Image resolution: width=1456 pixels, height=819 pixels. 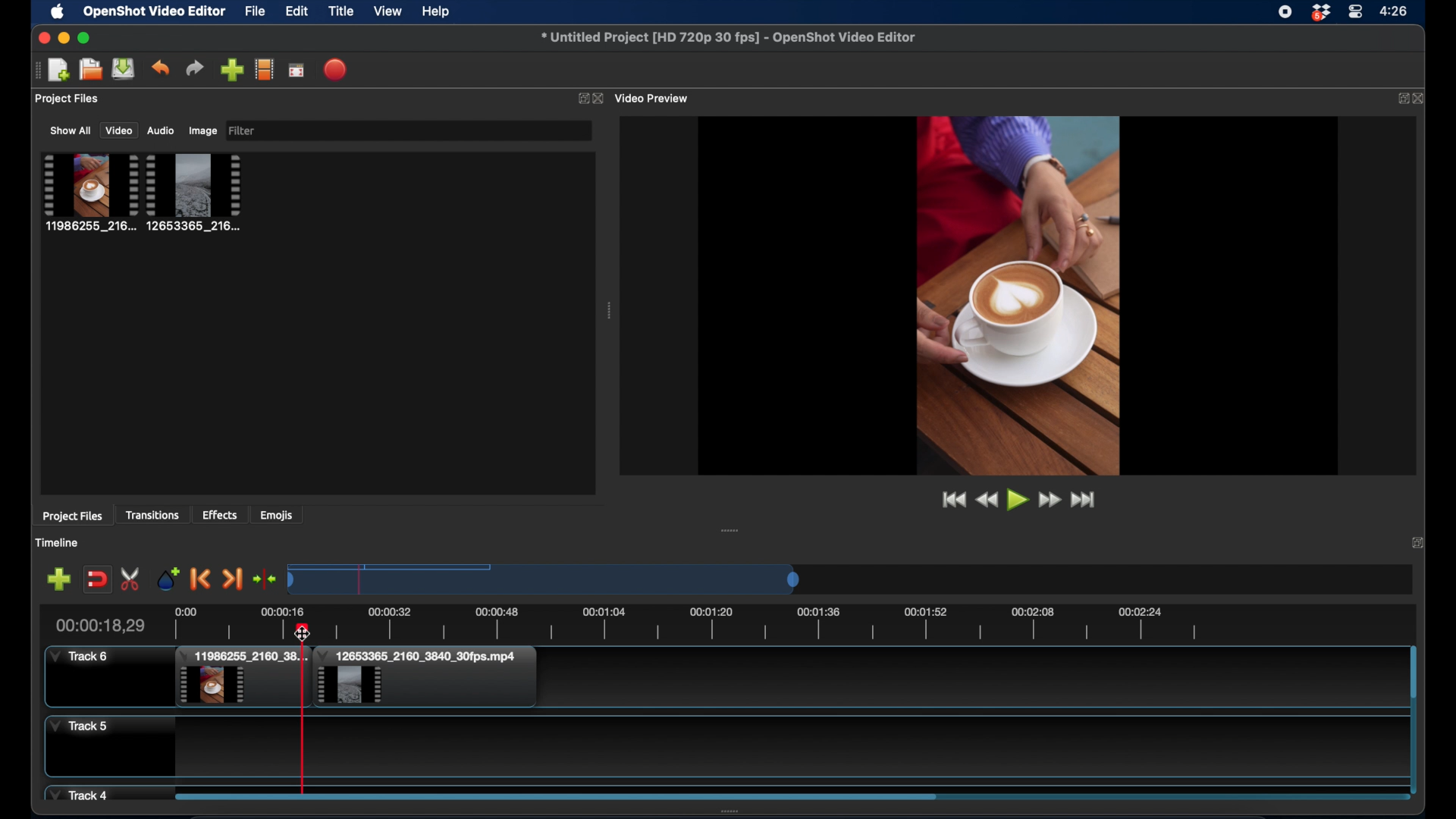 I want to click on playhead, so click(x=303, y=713).